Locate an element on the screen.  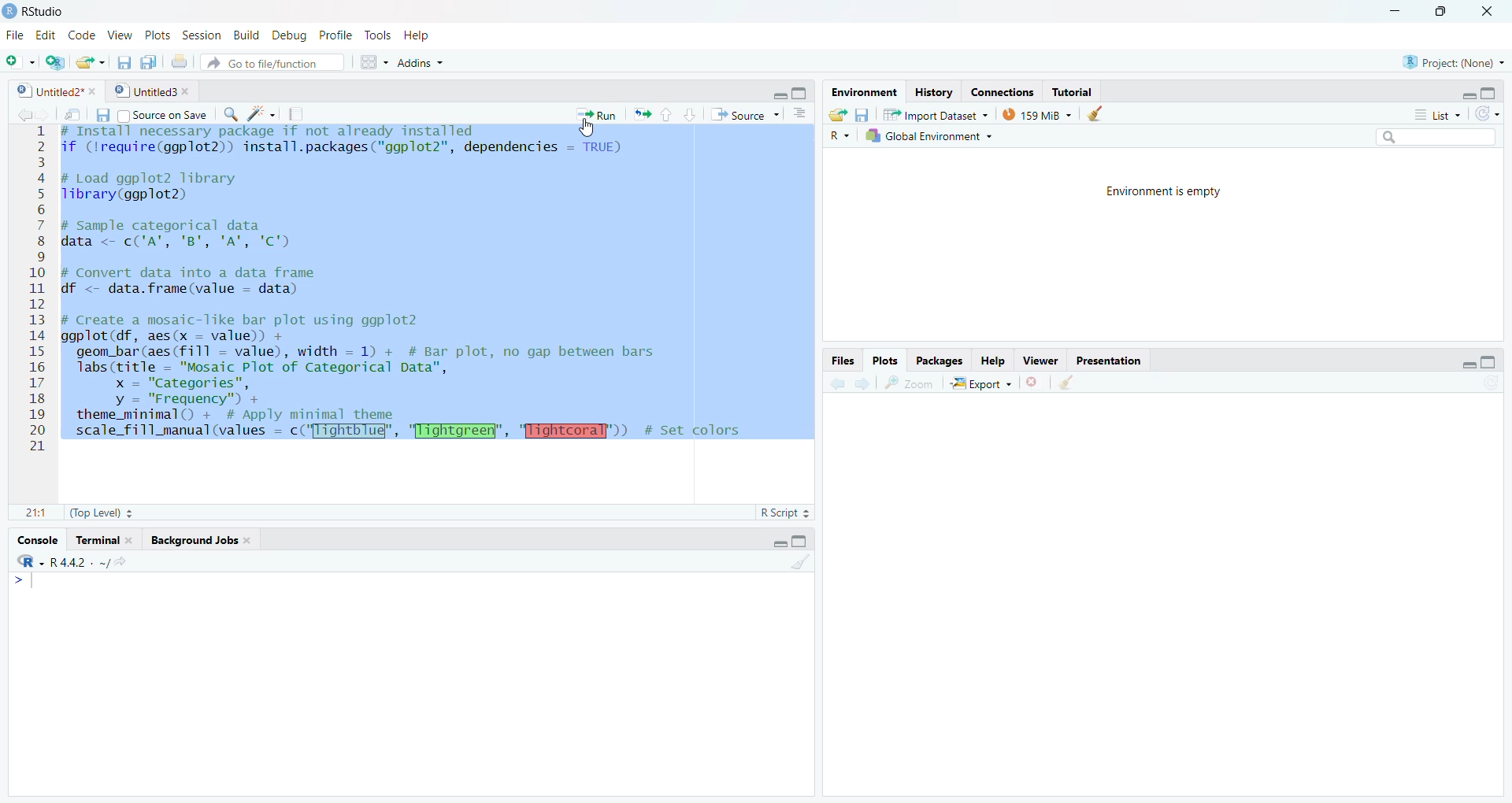
Help is located at coordinates (992, 362).